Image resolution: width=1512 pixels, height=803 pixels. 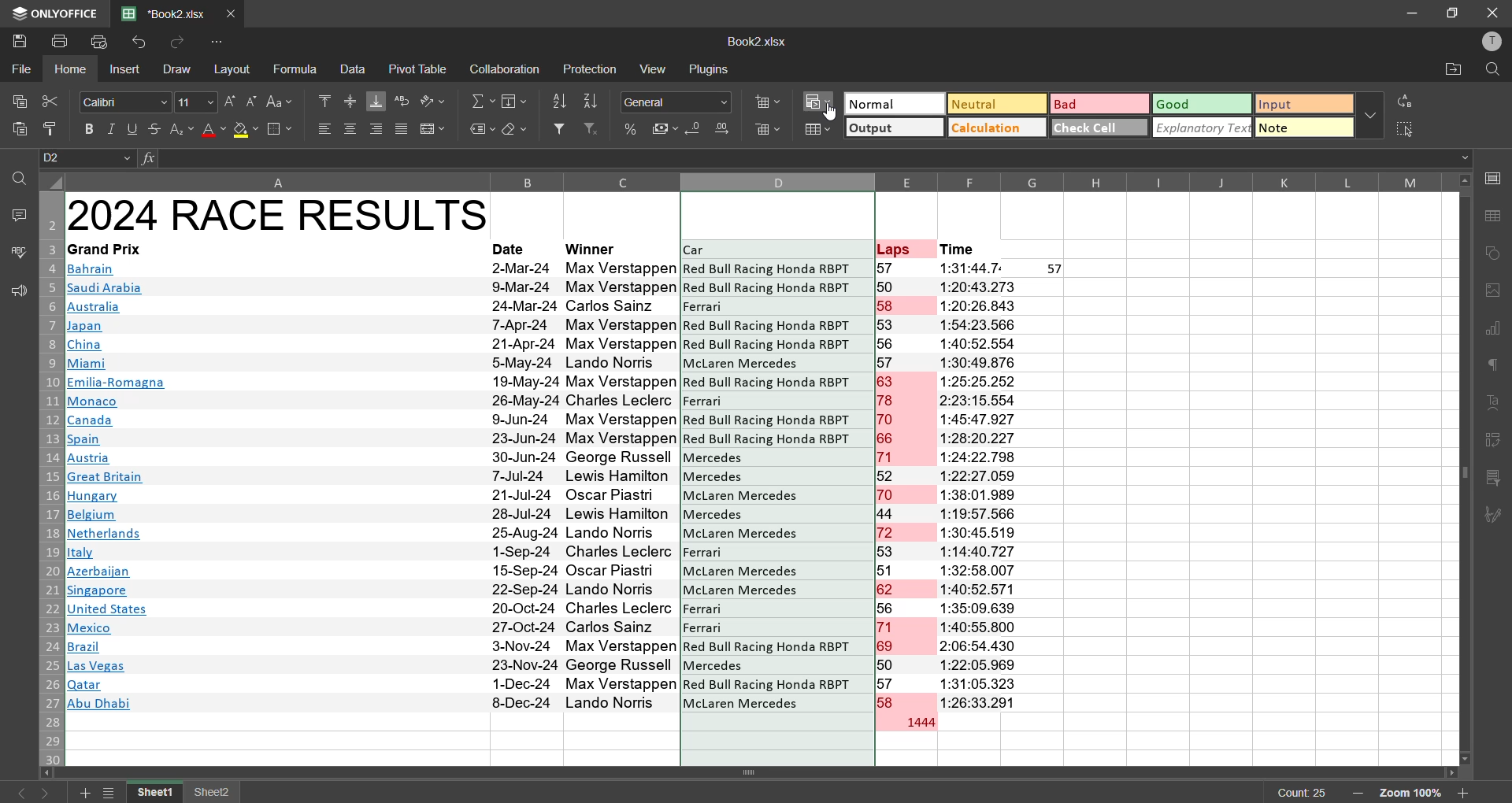 What do you see at coordinates (175, 68) in the screenshot?
I see `draw` at bounding box center [175, 68].